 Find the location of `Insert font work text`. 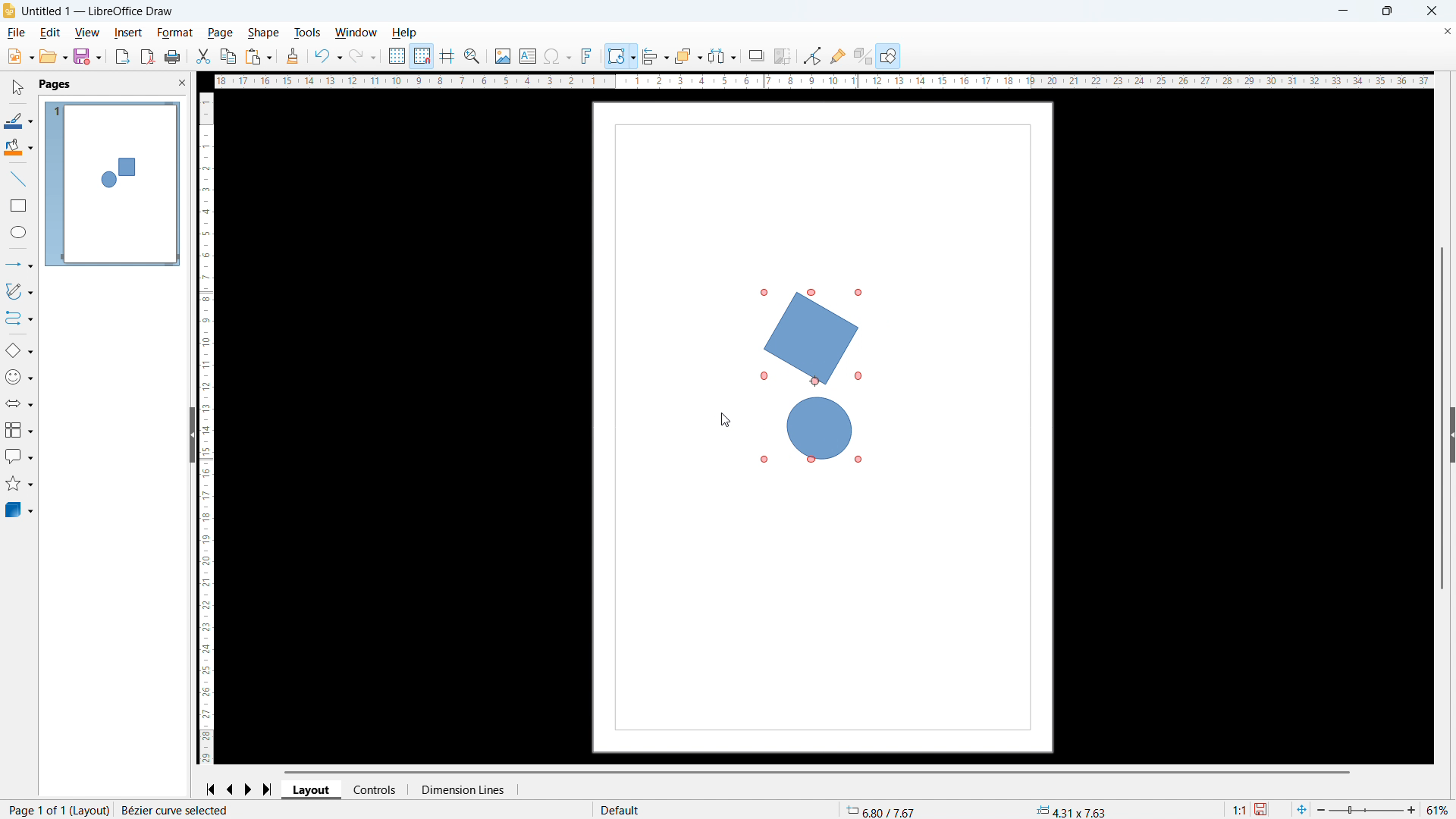

Insert font work text is located at coordinates (587, 55).